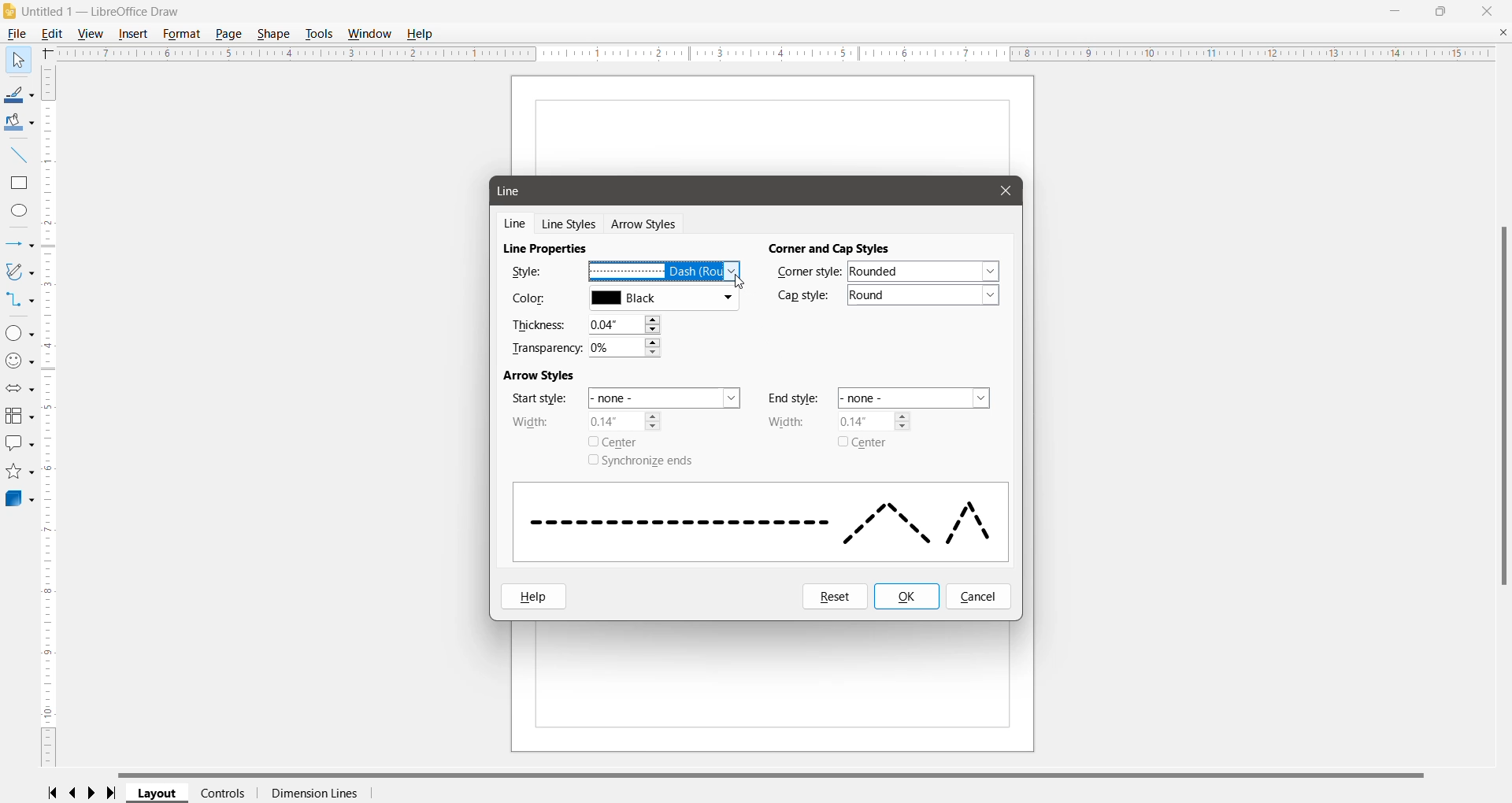 The image size is (1512, 803). I want to click on Center, so click(618, 442).